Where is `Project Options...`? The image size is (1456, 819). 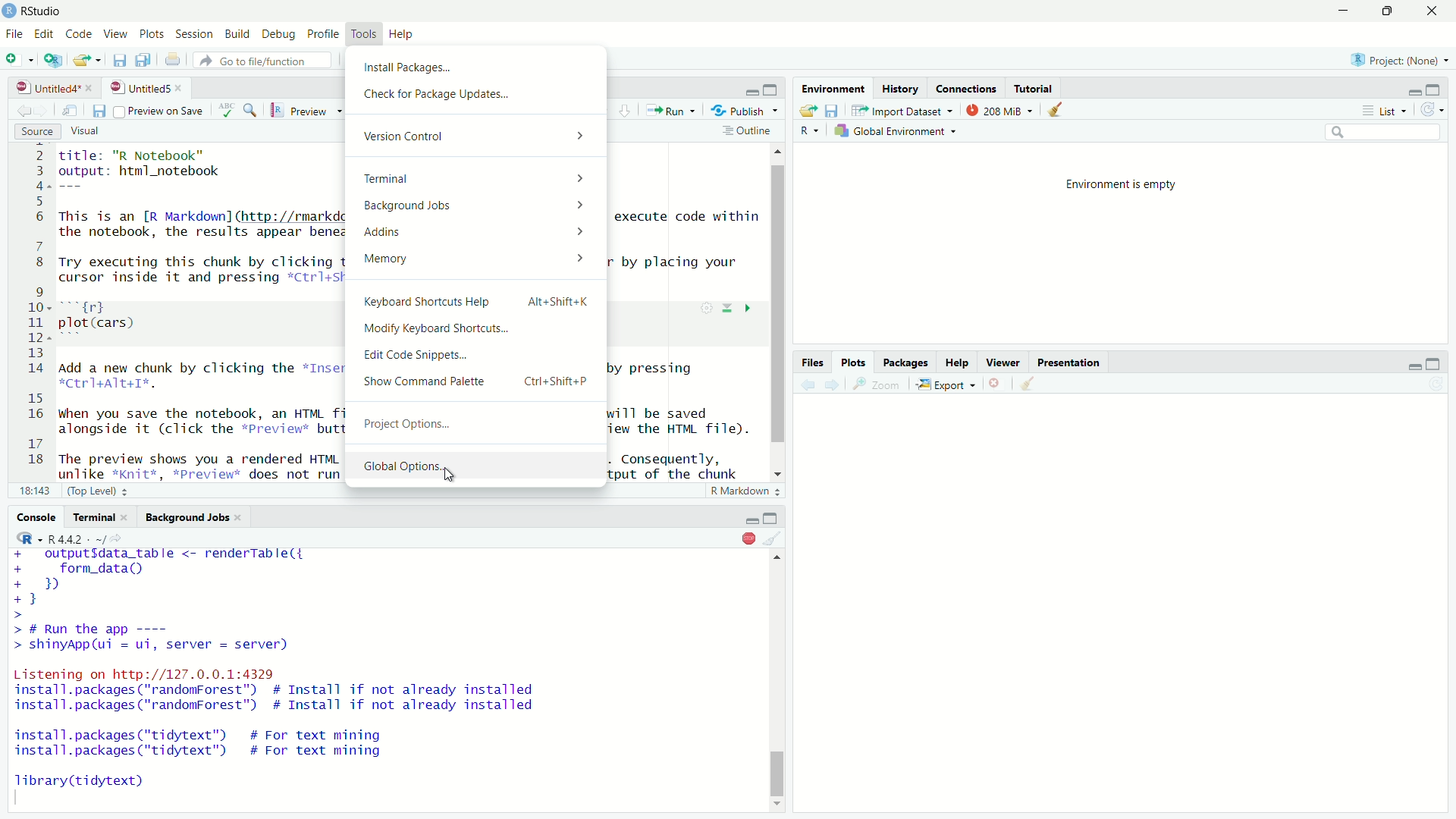 Project Options... is located at coordinates (472, 426).